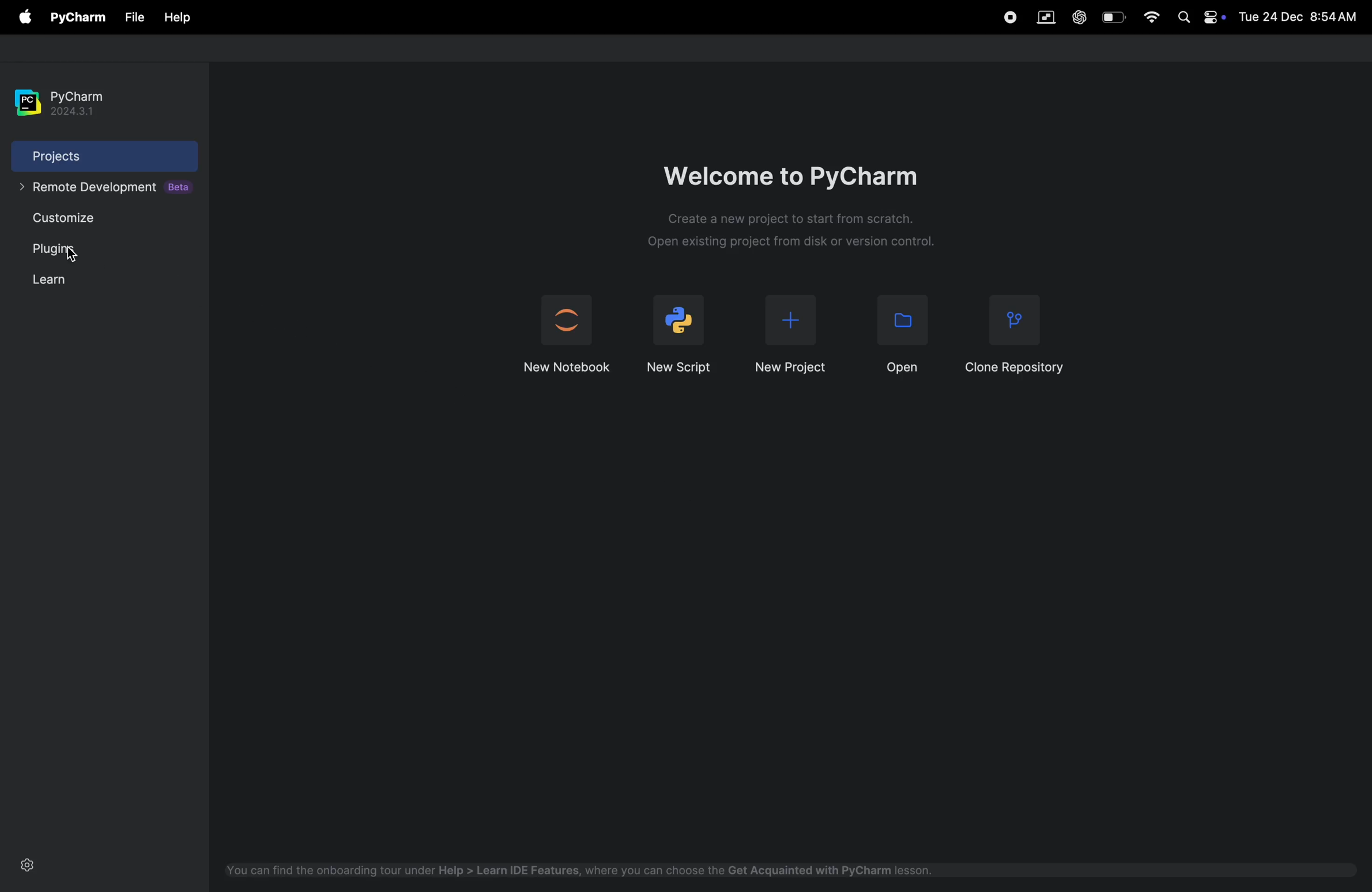 This screenshot has width=1372, height=892. What do you see at coordinates (1109, 16) in the screenshot?
I see `battery` at bounding box center [1109, 16].